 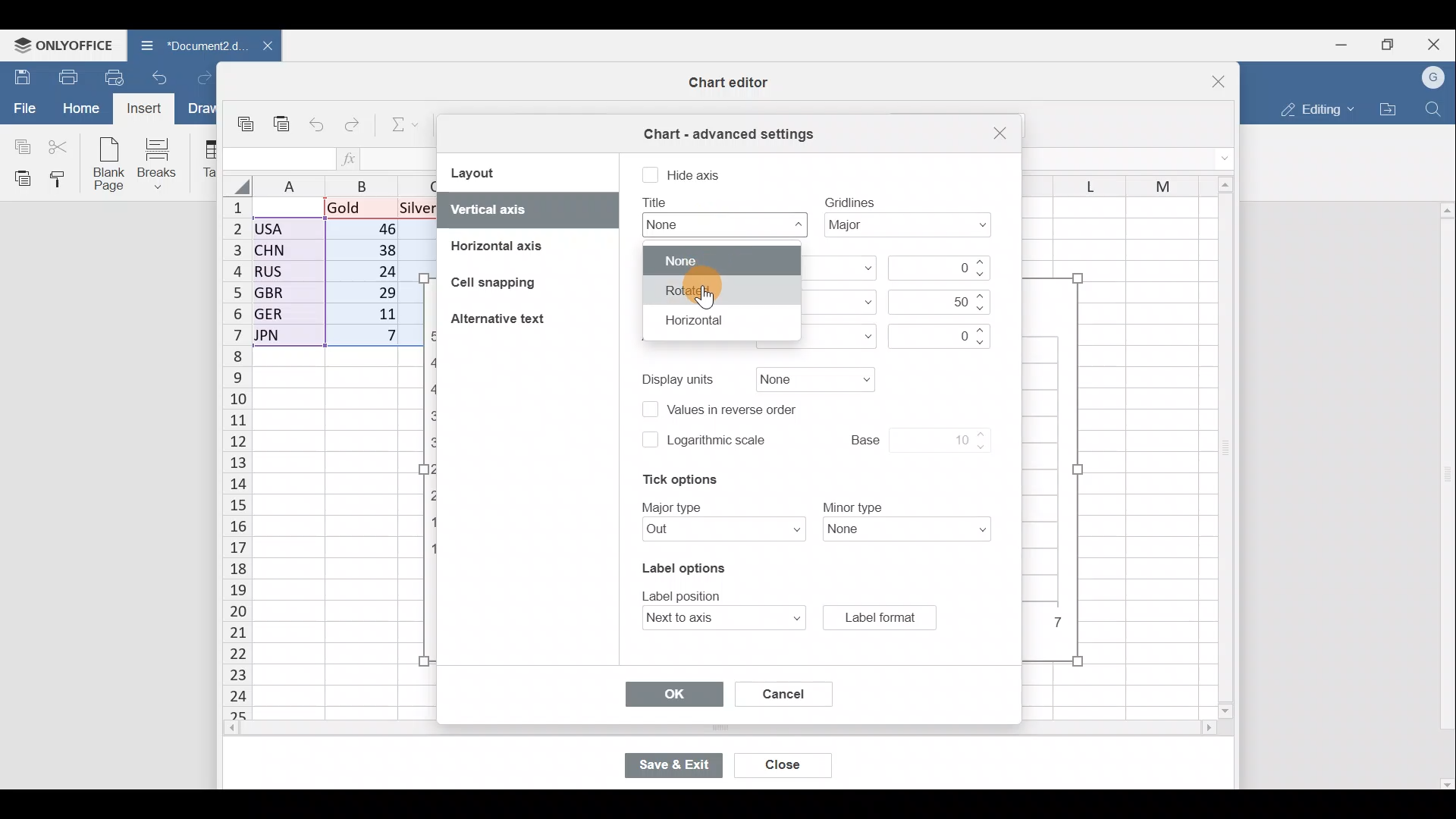 What do you see at coordinates (111, 165) in the screenshot?
I see `Blank page` at bounding box center [111, 165].